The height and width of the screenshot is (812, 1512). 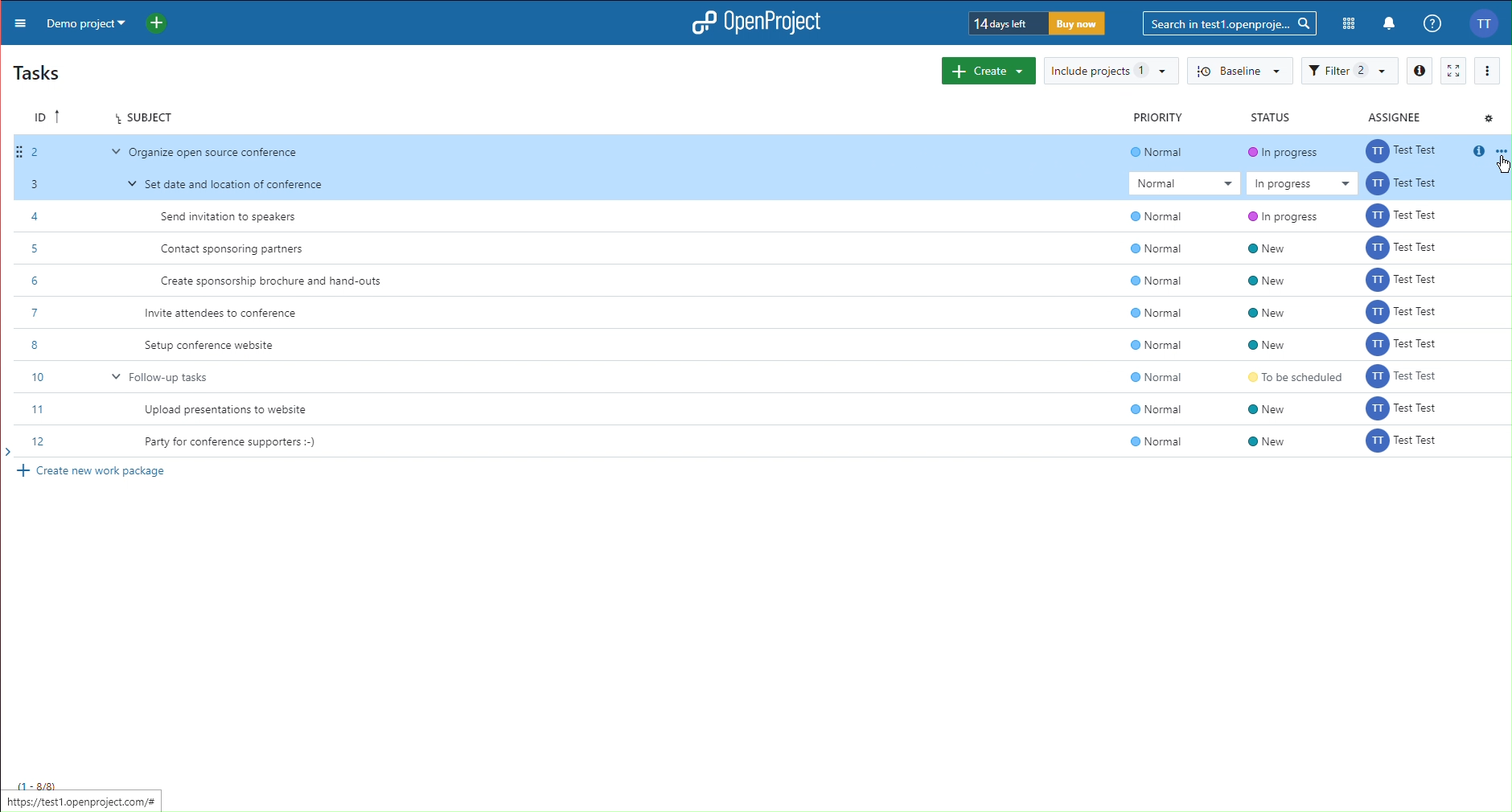 I want to click on Tasks, so click(x=40, y=71).